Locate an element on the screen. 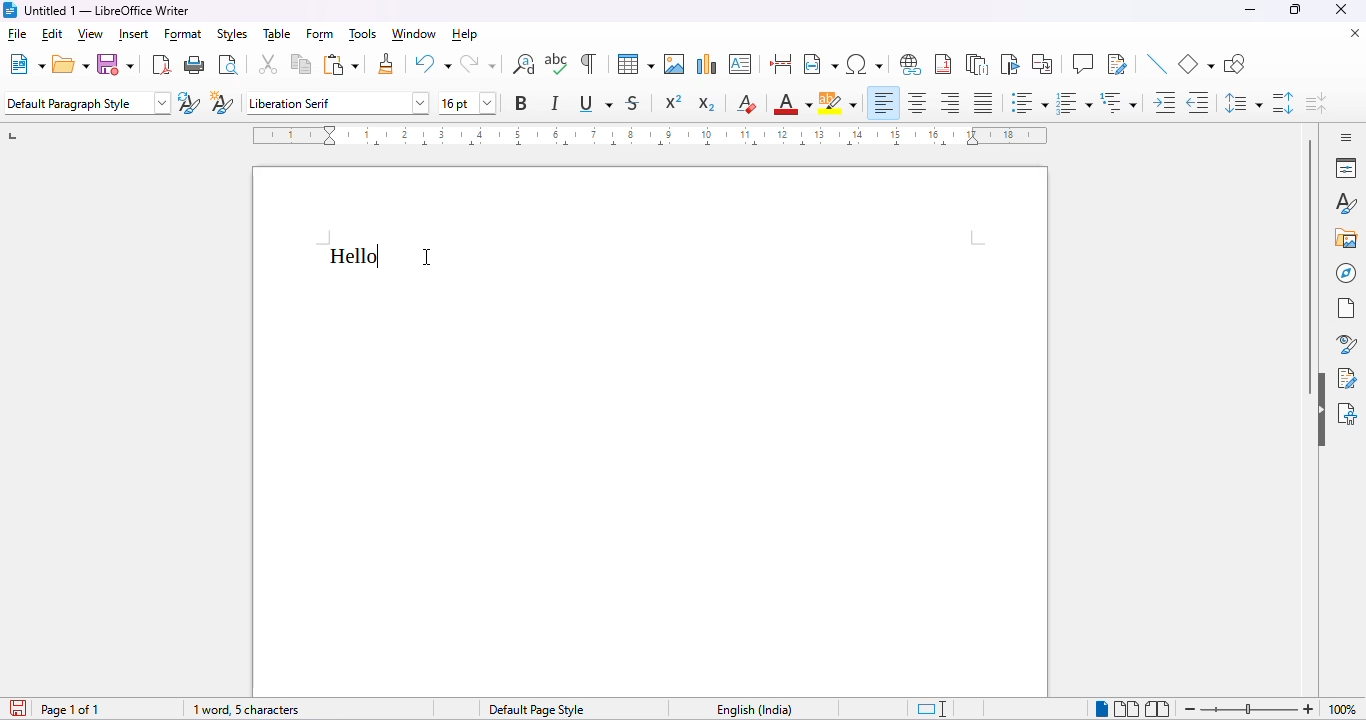 This screenshot has width=1366, height=720. decrease paragraph spacing is located at coordinates (1317, 103).